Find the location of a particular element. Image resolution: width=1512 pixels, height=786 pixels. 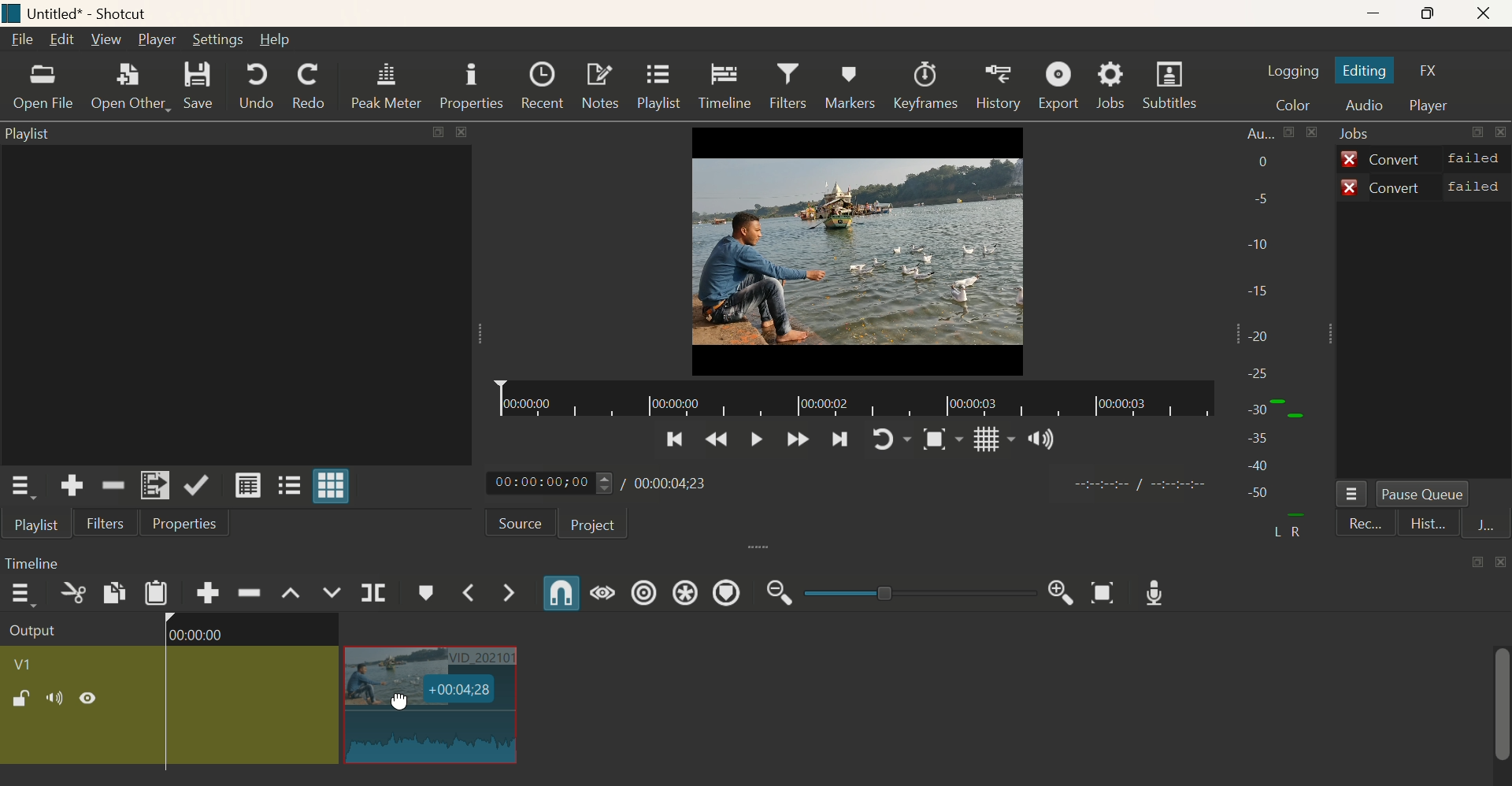

Previous is located at coordinates (717, 443).